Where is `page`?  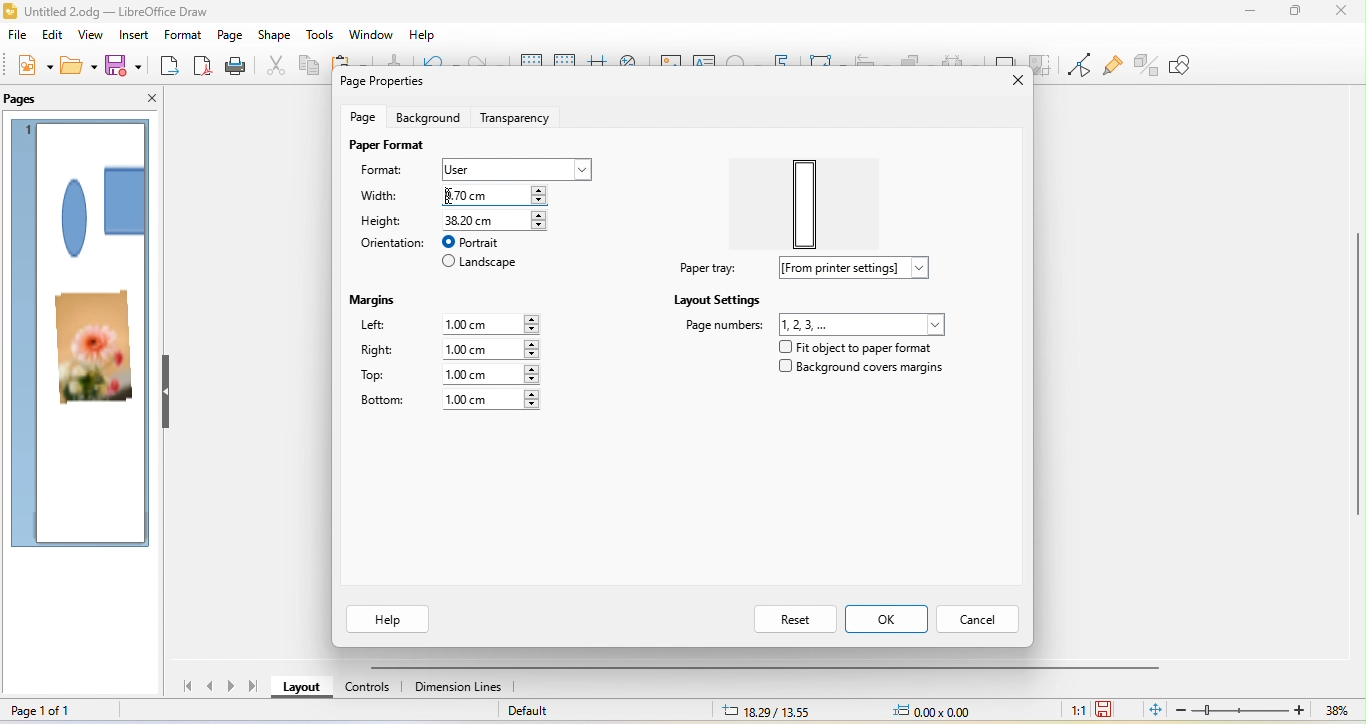
page is located at coordinates (229, 36).